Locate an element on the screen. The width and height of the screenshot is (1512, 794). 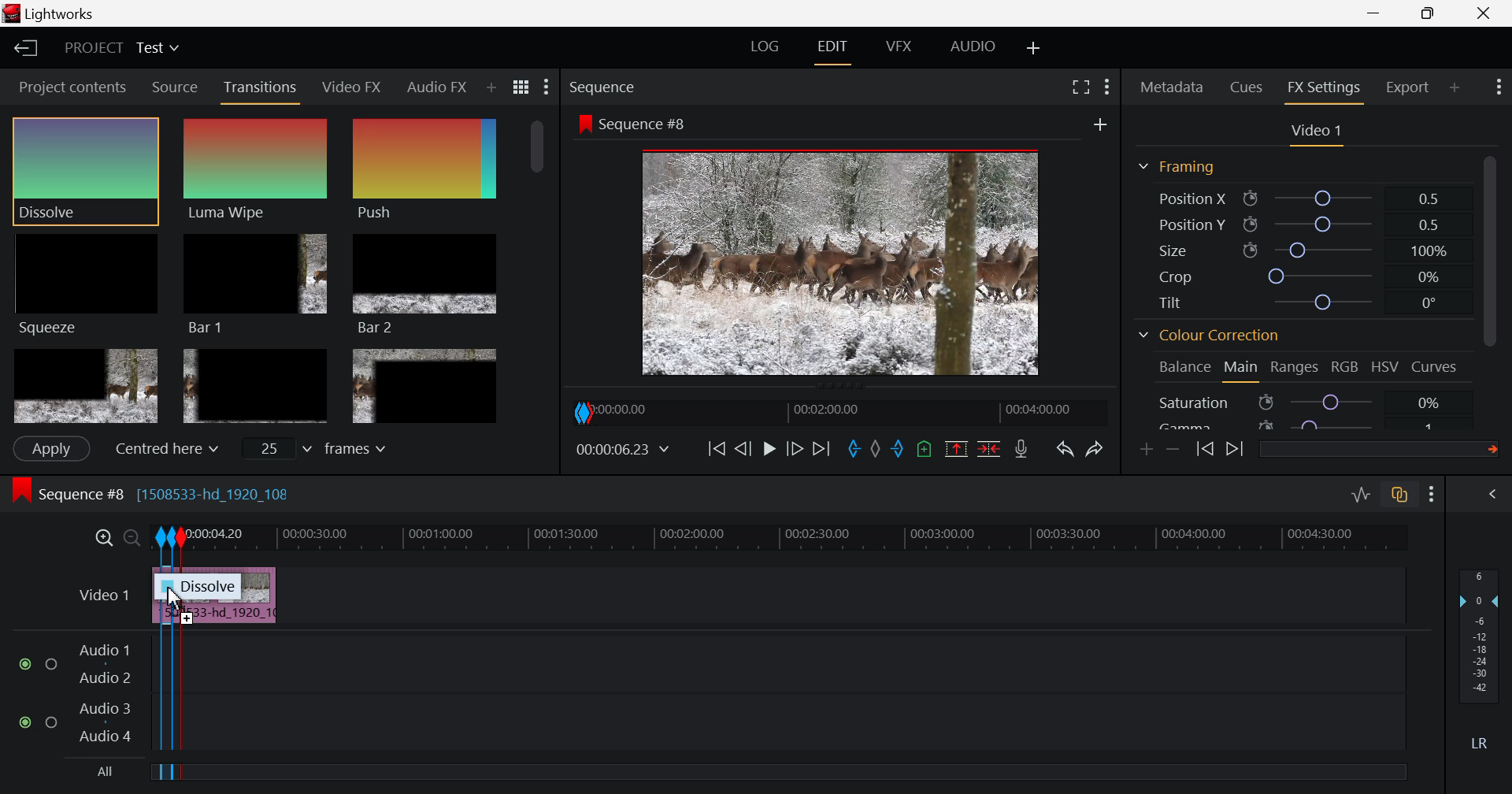
Video Layer Input is located at coordinates (100, 598).